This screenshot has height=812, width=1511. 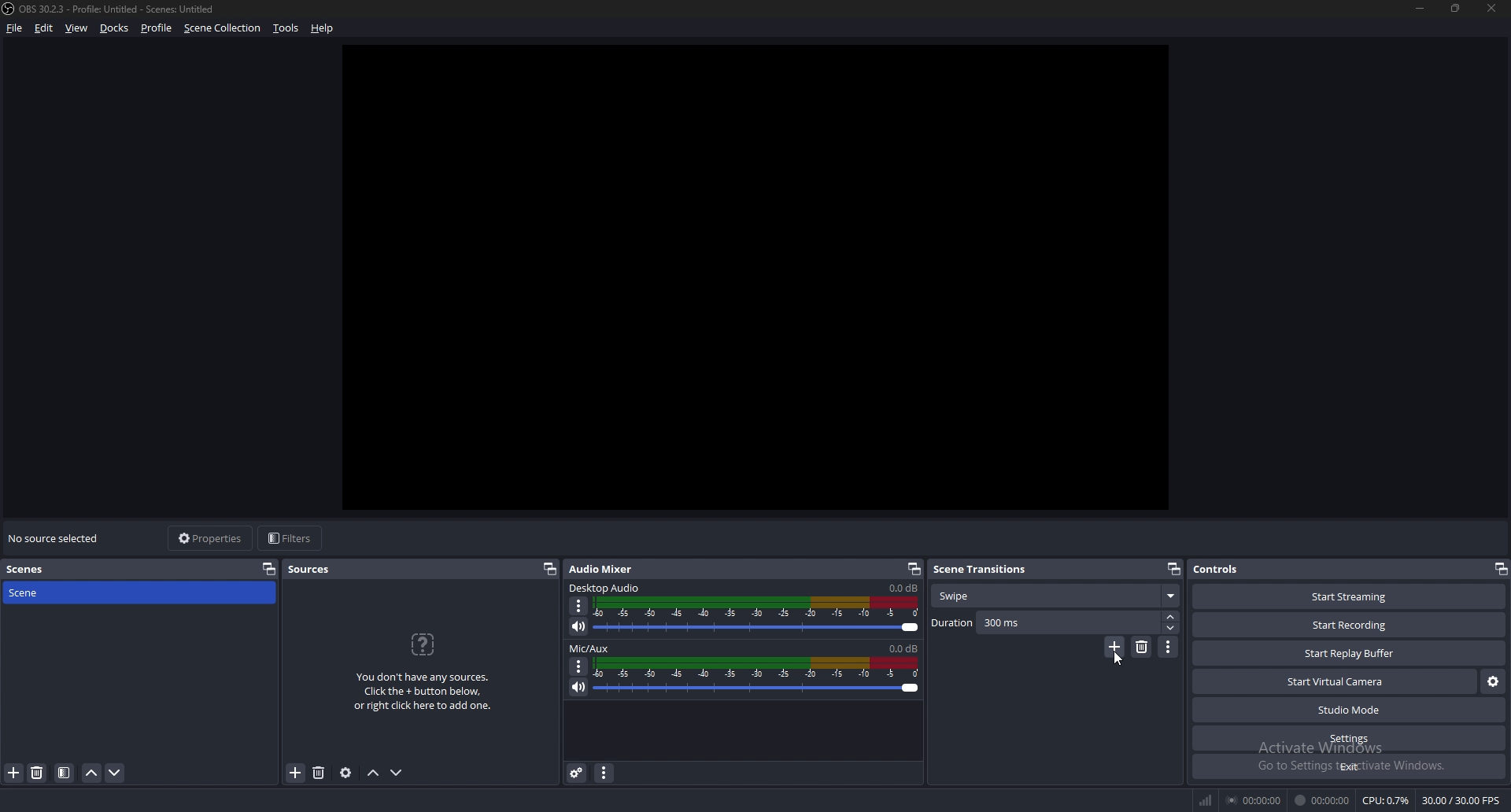 I want to click on move scene down, so click(x=115, y=773).